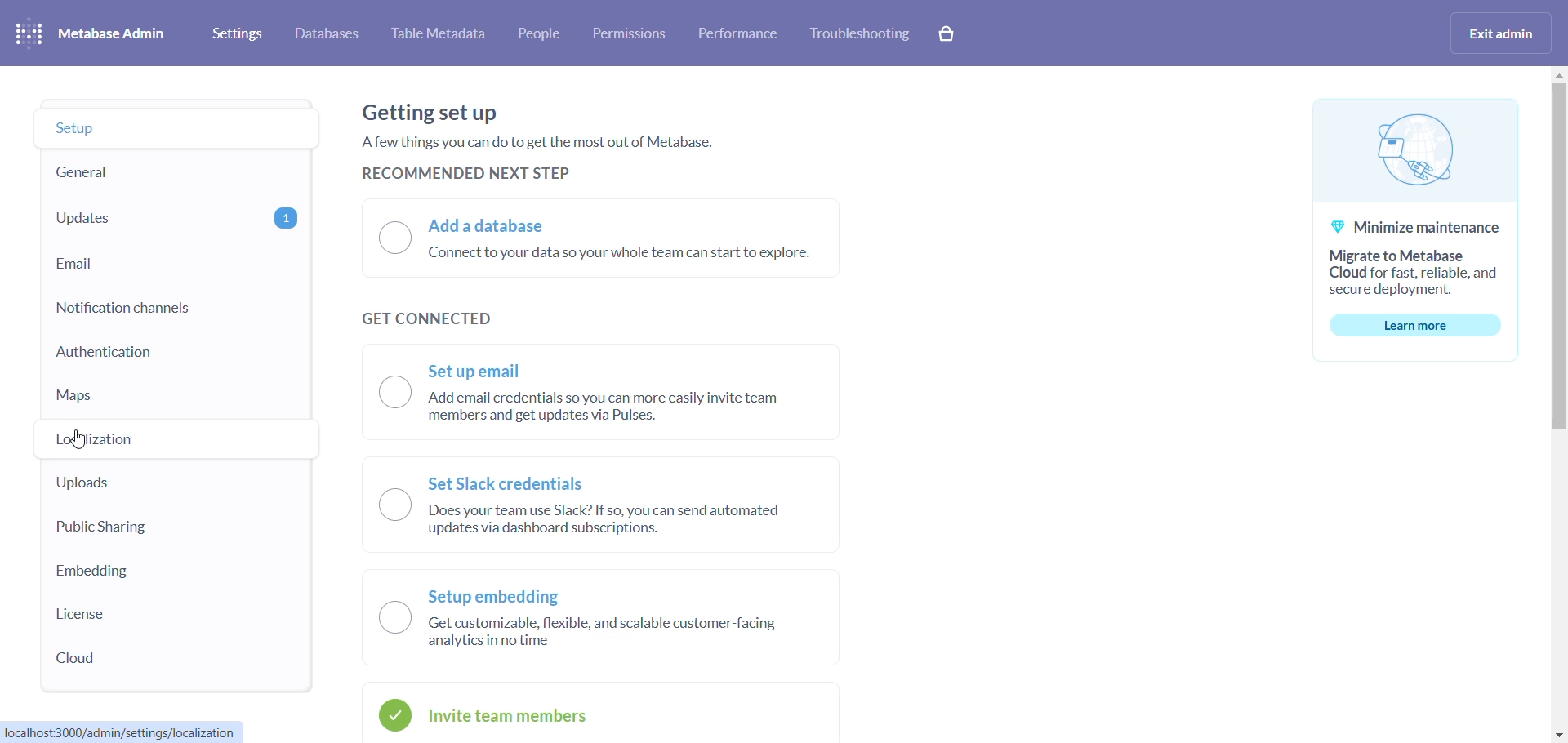  What do you see at coordinates (1419, 254) in the screenshot?
I see `@ Minimize maintenance
Migrate to Metabase
Cloud for fast, reliable, and
secure deployment.` at bounding box center [1419, 254].